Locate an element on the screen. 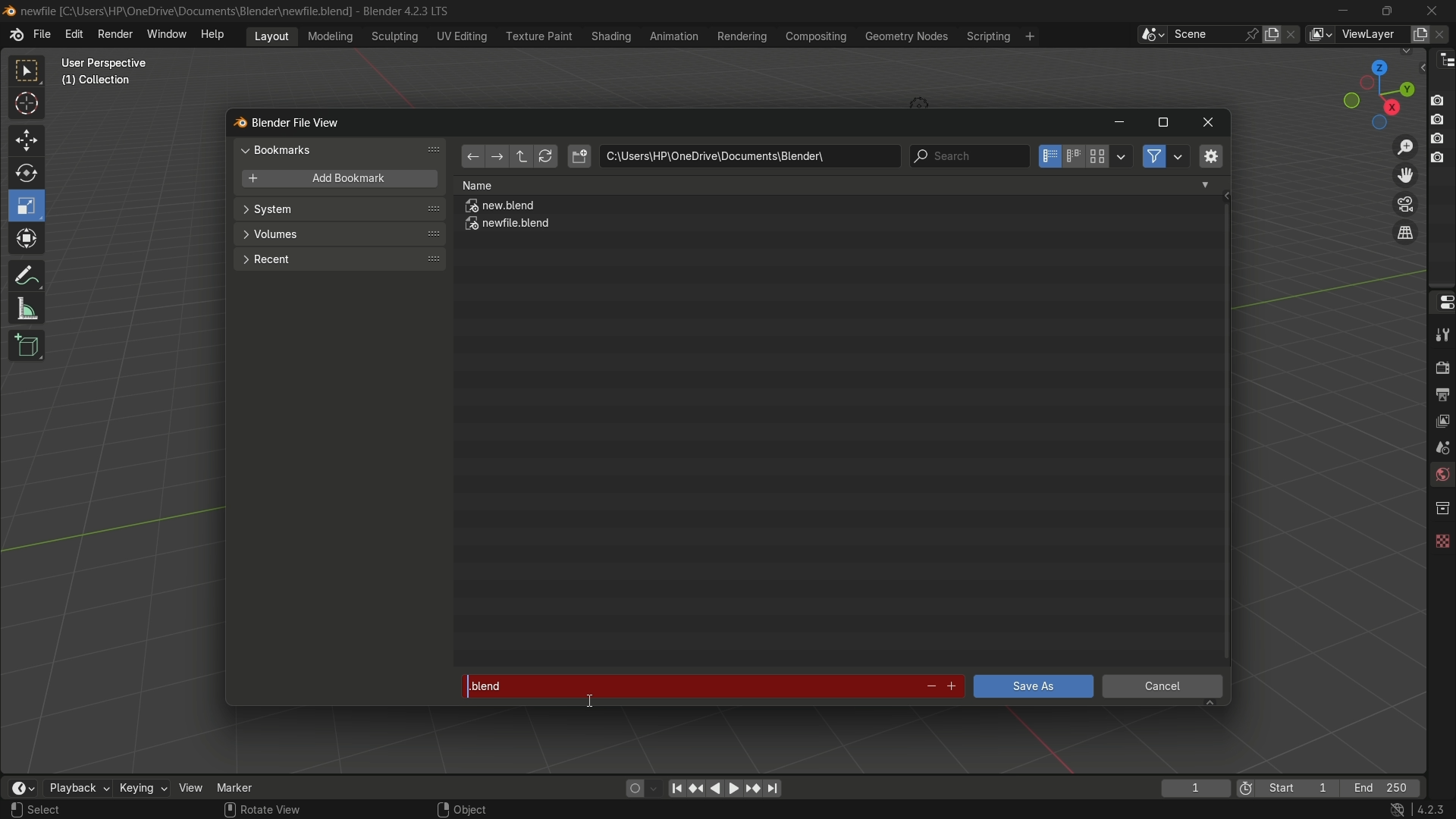 The height and width of the screenshot is (819, 1456). render menu is located at coordinates (115, 33).